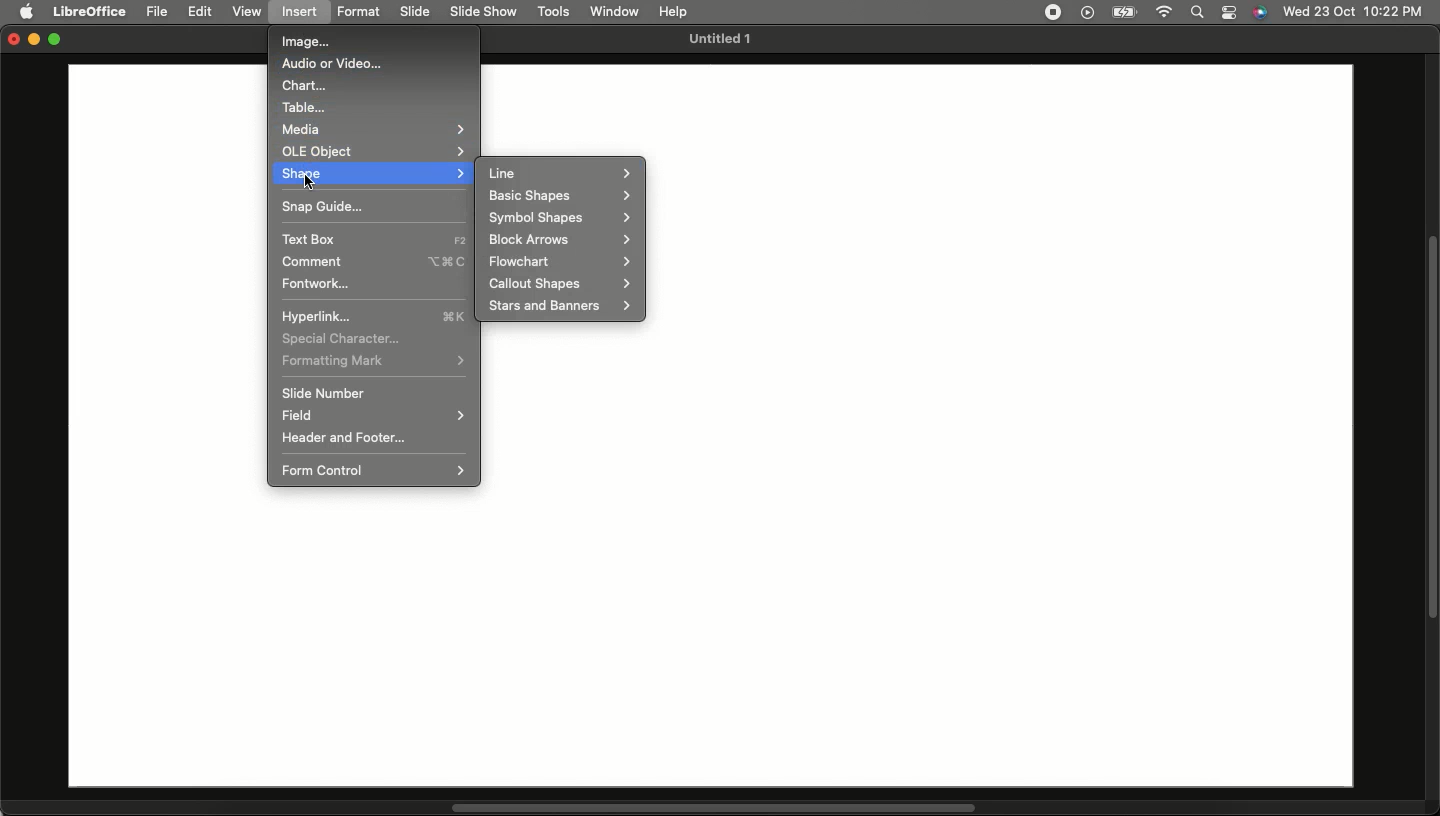 Image resolution: width=1440 pixels, height=816 pixels. I want to click on Table, so click(307, 107).